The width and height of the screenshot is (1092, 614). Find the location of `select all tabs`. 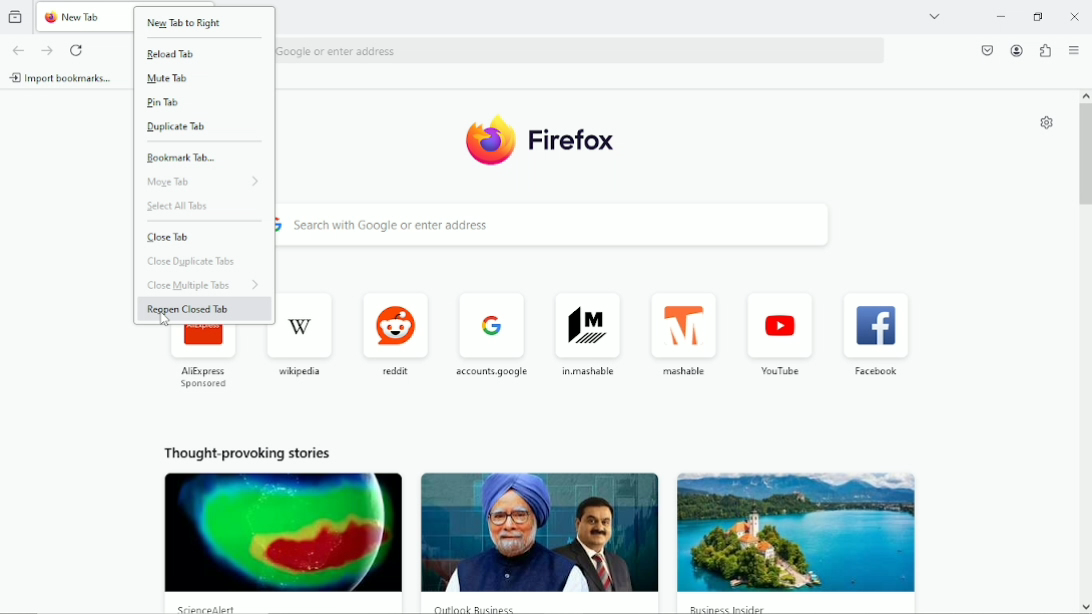

select all tabs is located at coordinates (178, 206).